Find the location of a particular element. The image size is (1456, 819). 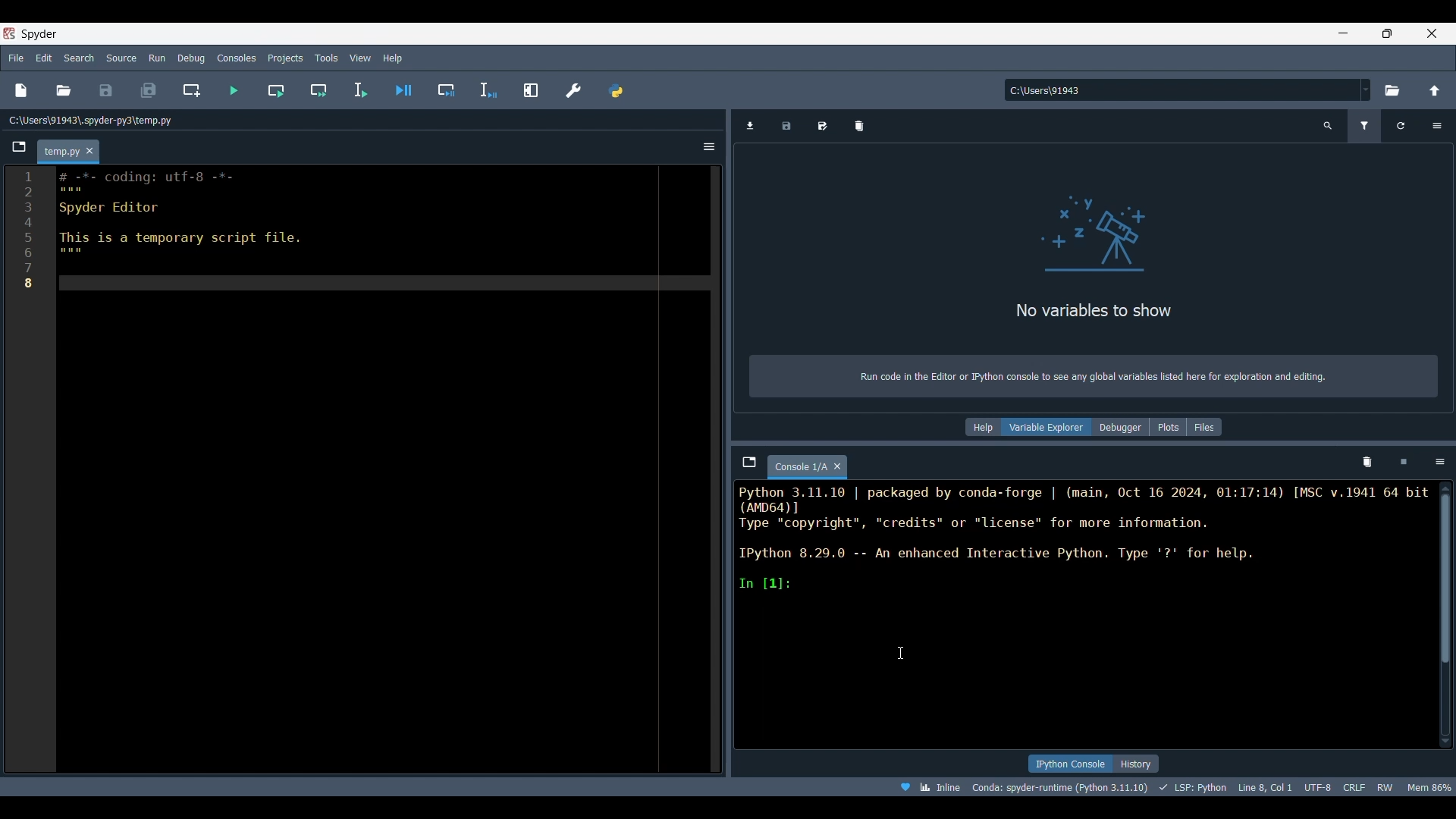

Options is located at coordinates (1436, 126).